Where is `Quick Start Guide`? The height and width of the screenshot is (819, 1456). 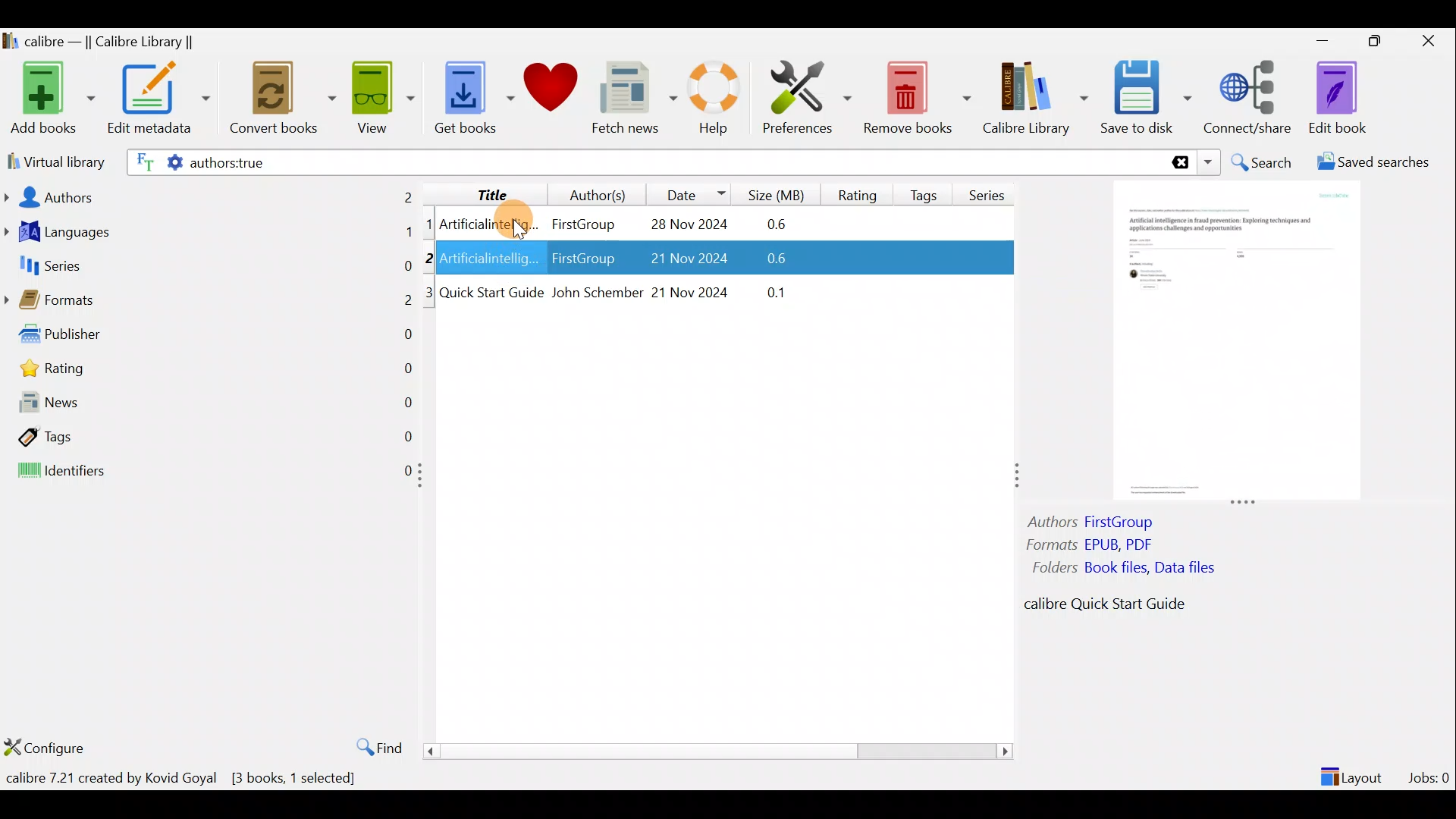 Quick Start Guide is located at coordinates (491, 293).